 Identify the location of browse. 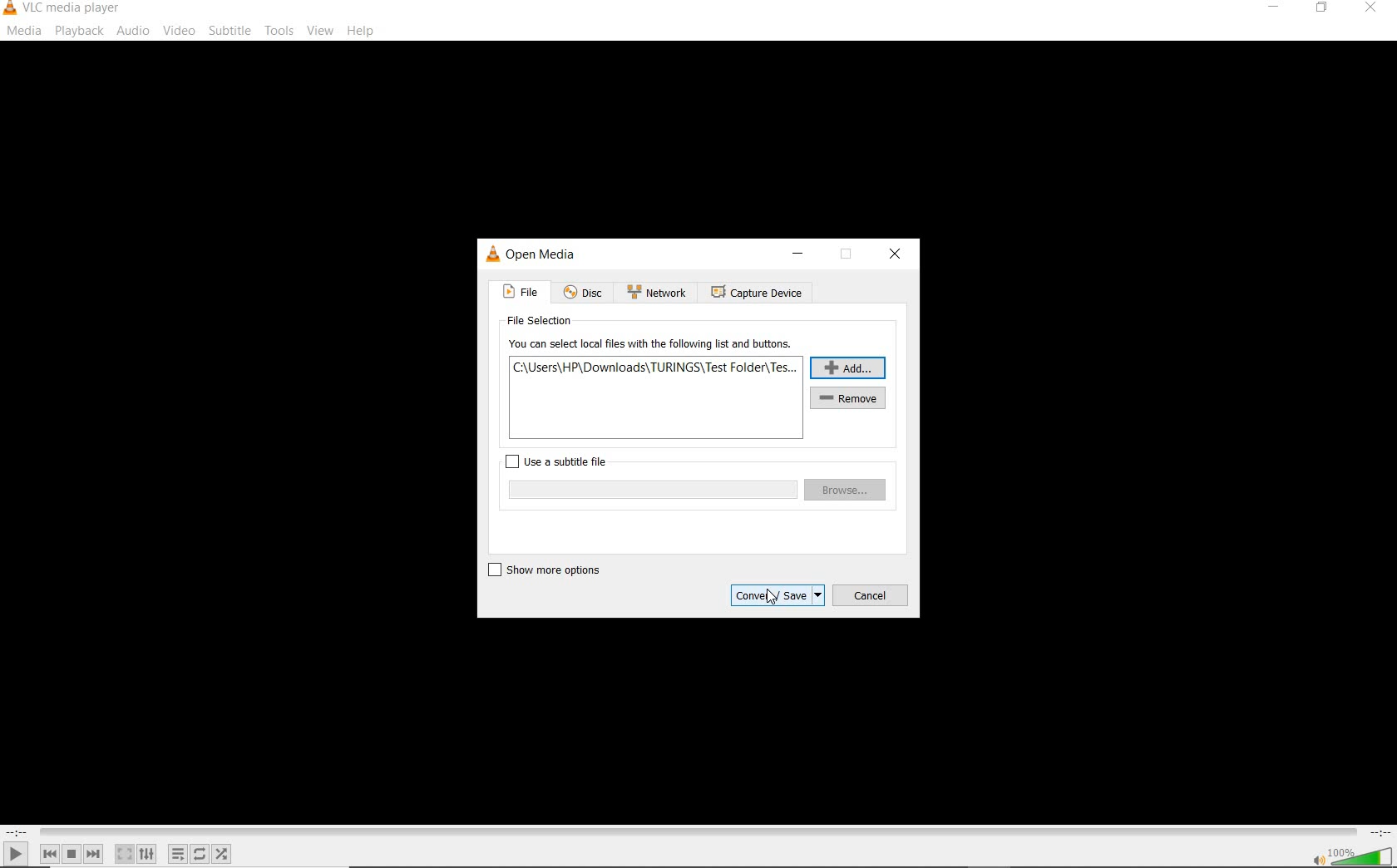
(847, 490).